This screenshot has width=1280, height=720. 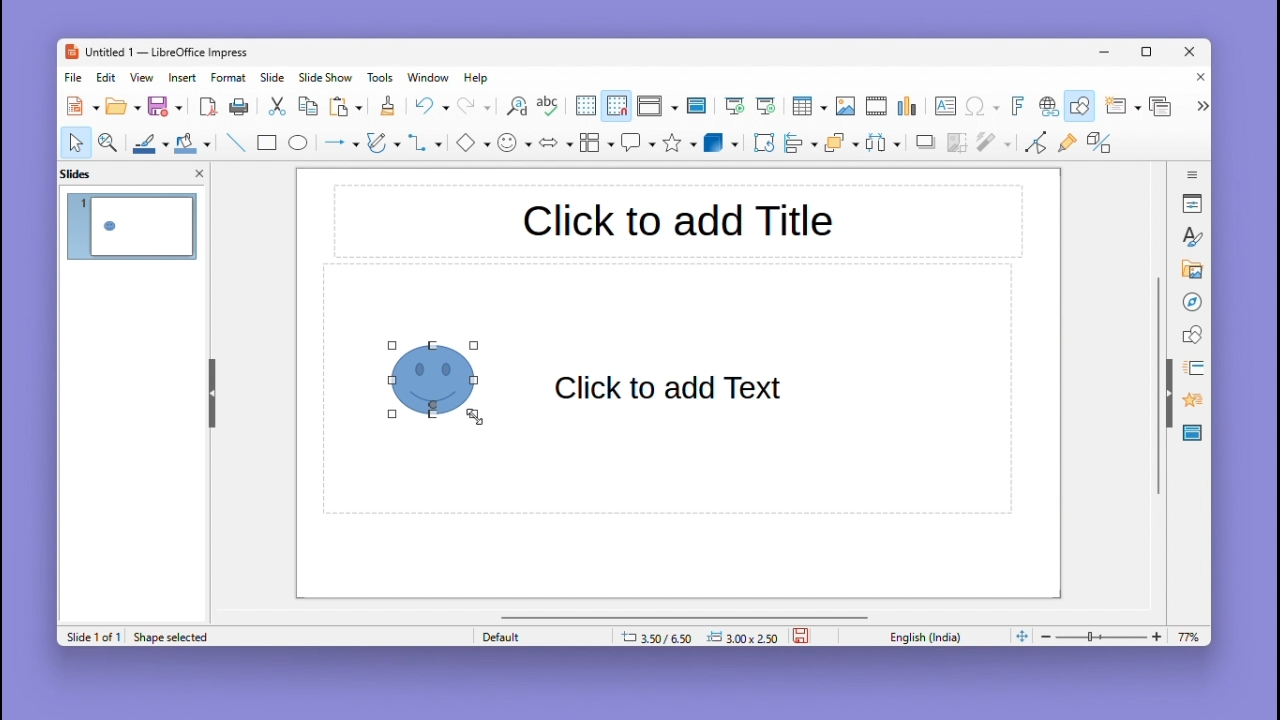 I want to click on Default, so click(x=539, y=636).